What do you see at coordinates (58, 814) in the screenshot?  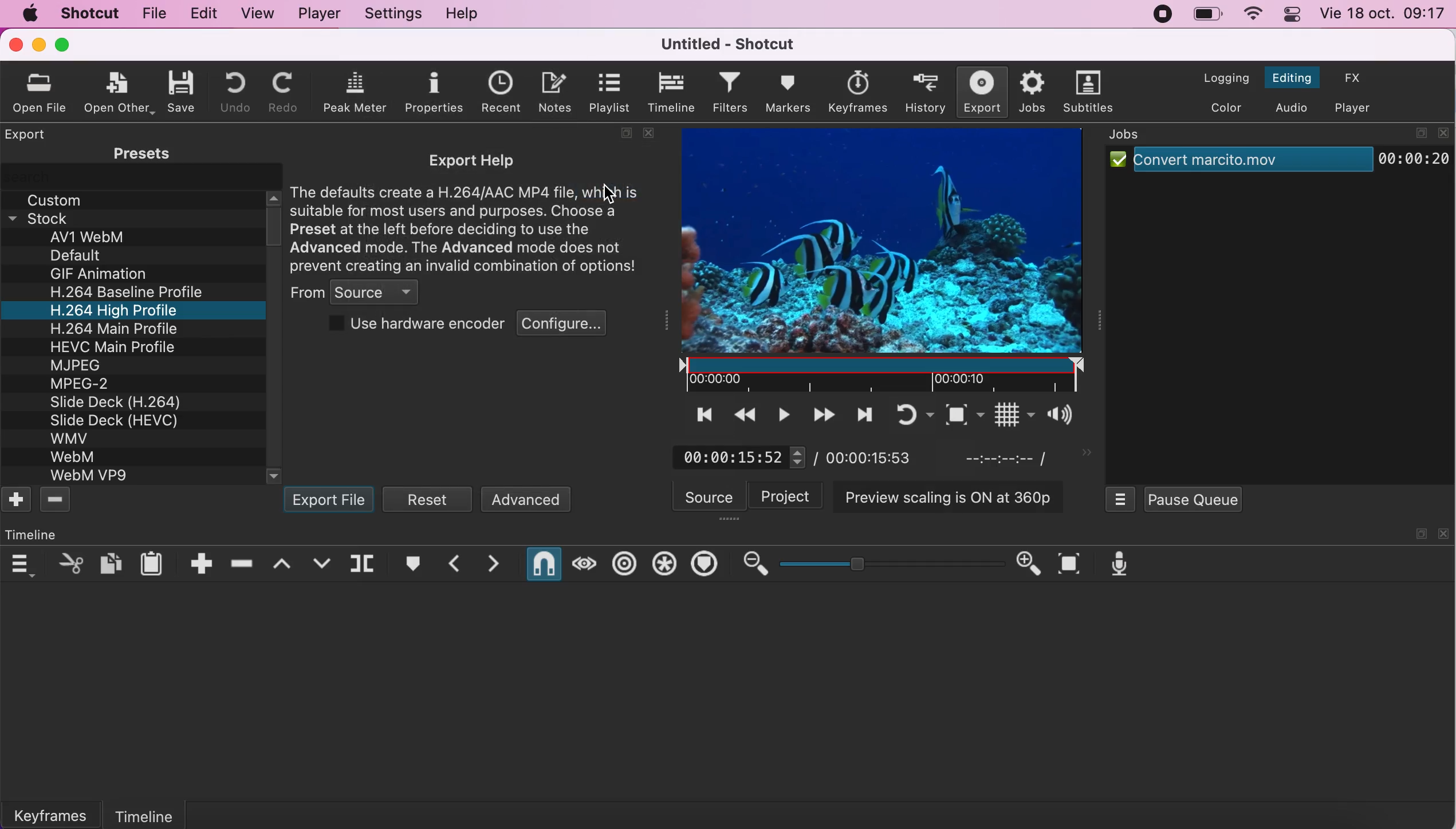 I see `keyframes` at bounding box center [58, 814].